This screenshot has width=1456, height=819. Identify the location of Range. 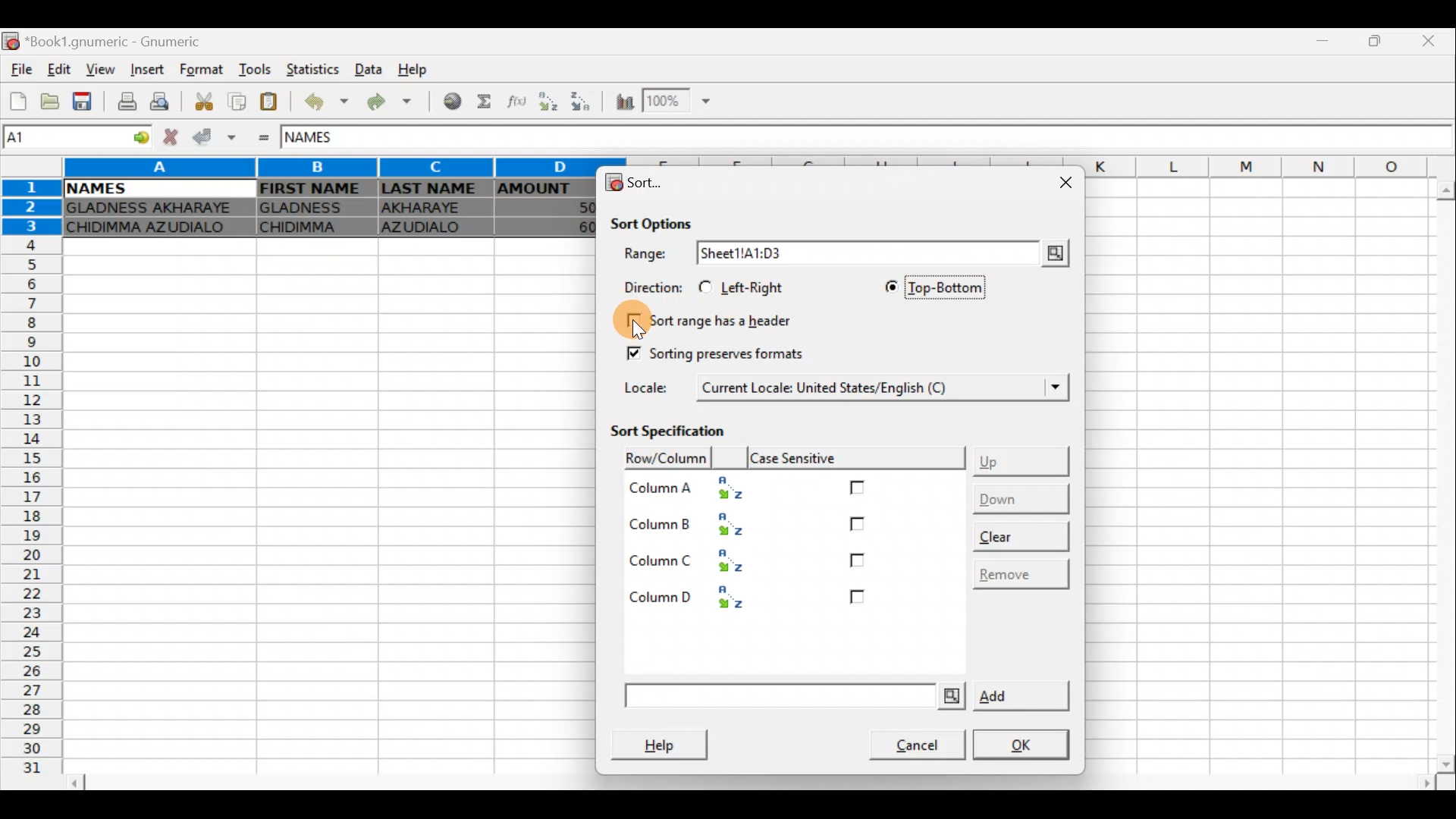
(648, 255).